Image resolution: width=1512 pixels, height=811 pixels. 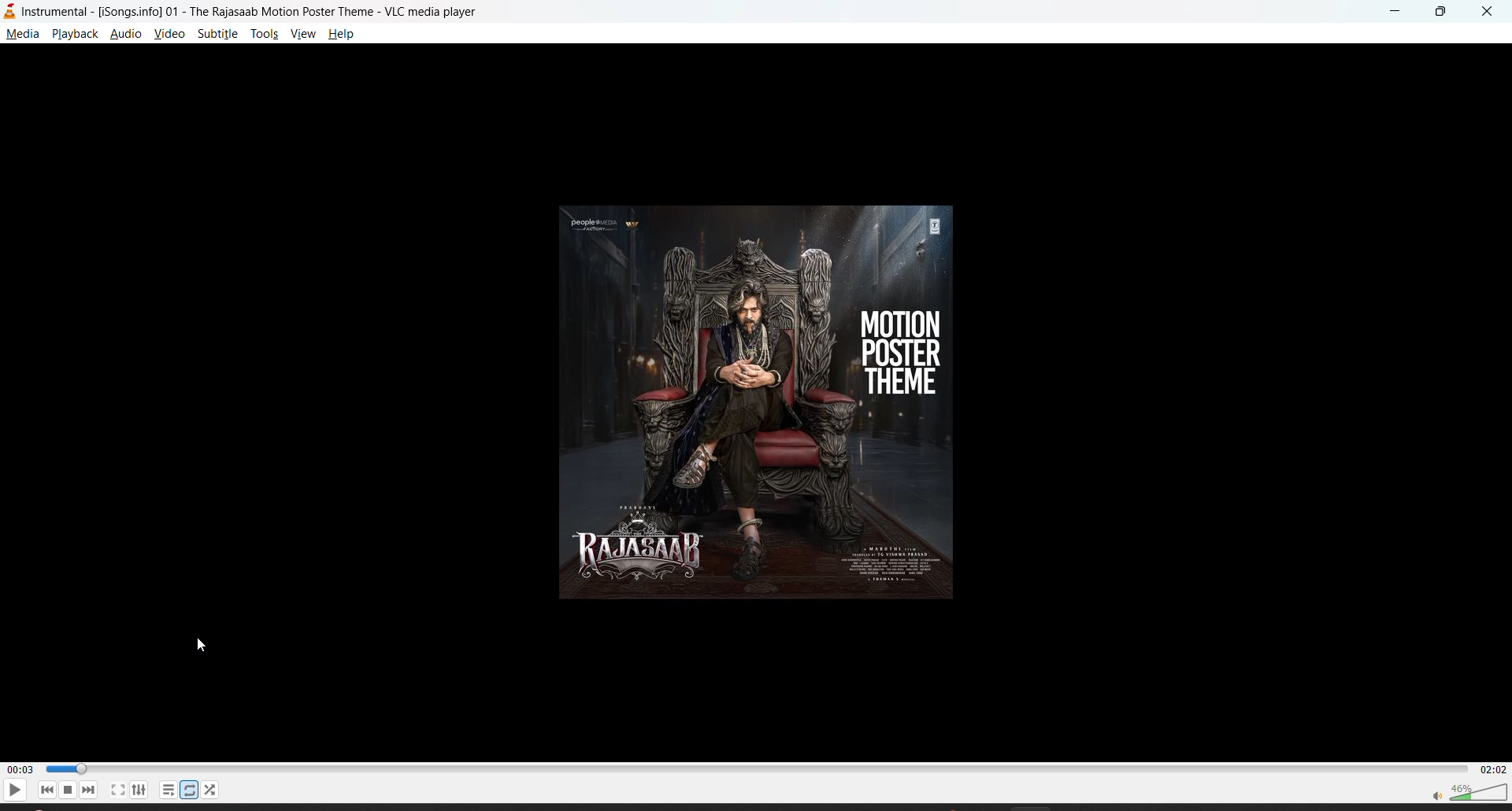 I want to click on minimize, so click(x=1390, y=13).